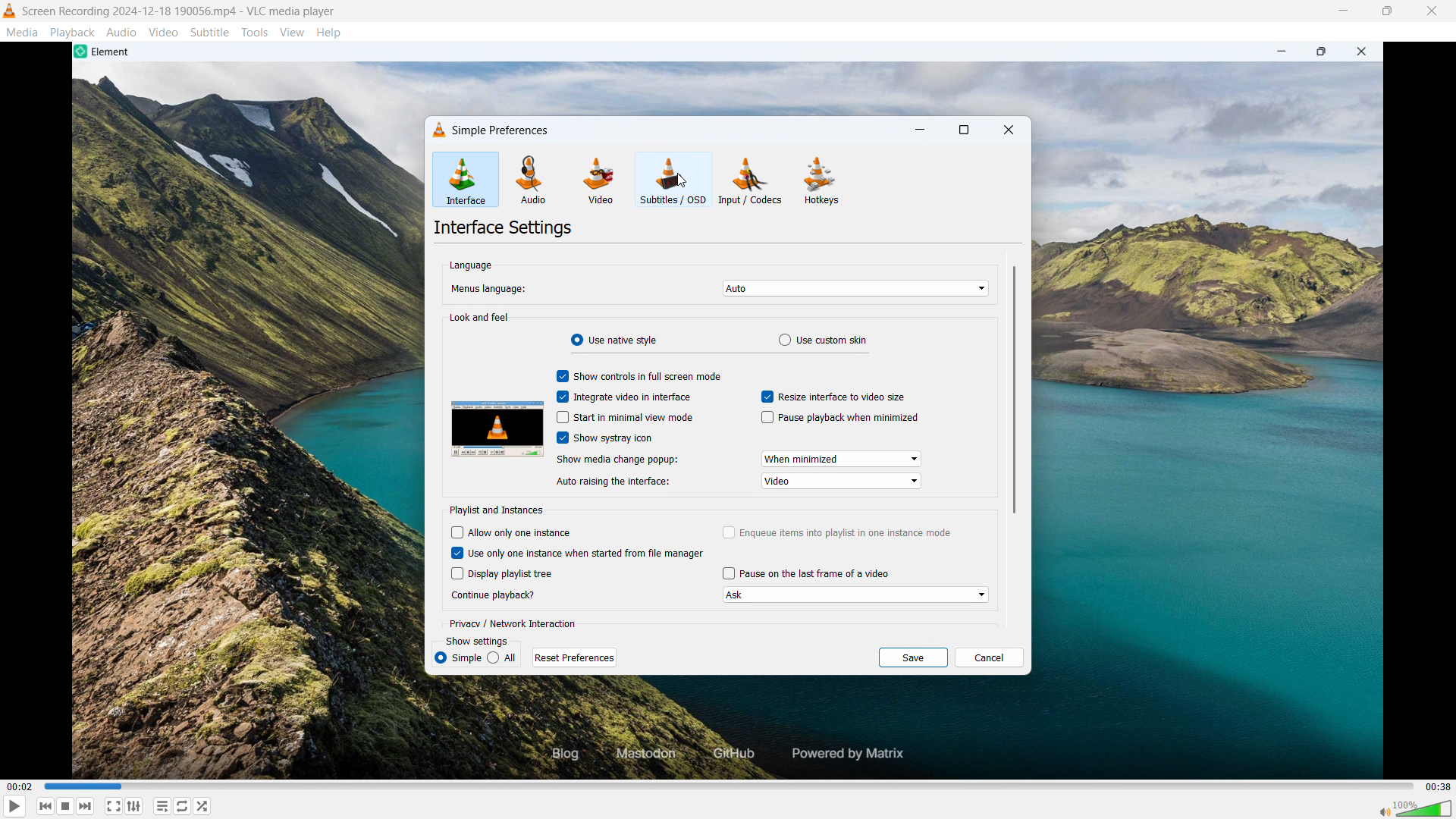 This screenshot has height=819, width=1456. I want to click on media, so click(23, 32).